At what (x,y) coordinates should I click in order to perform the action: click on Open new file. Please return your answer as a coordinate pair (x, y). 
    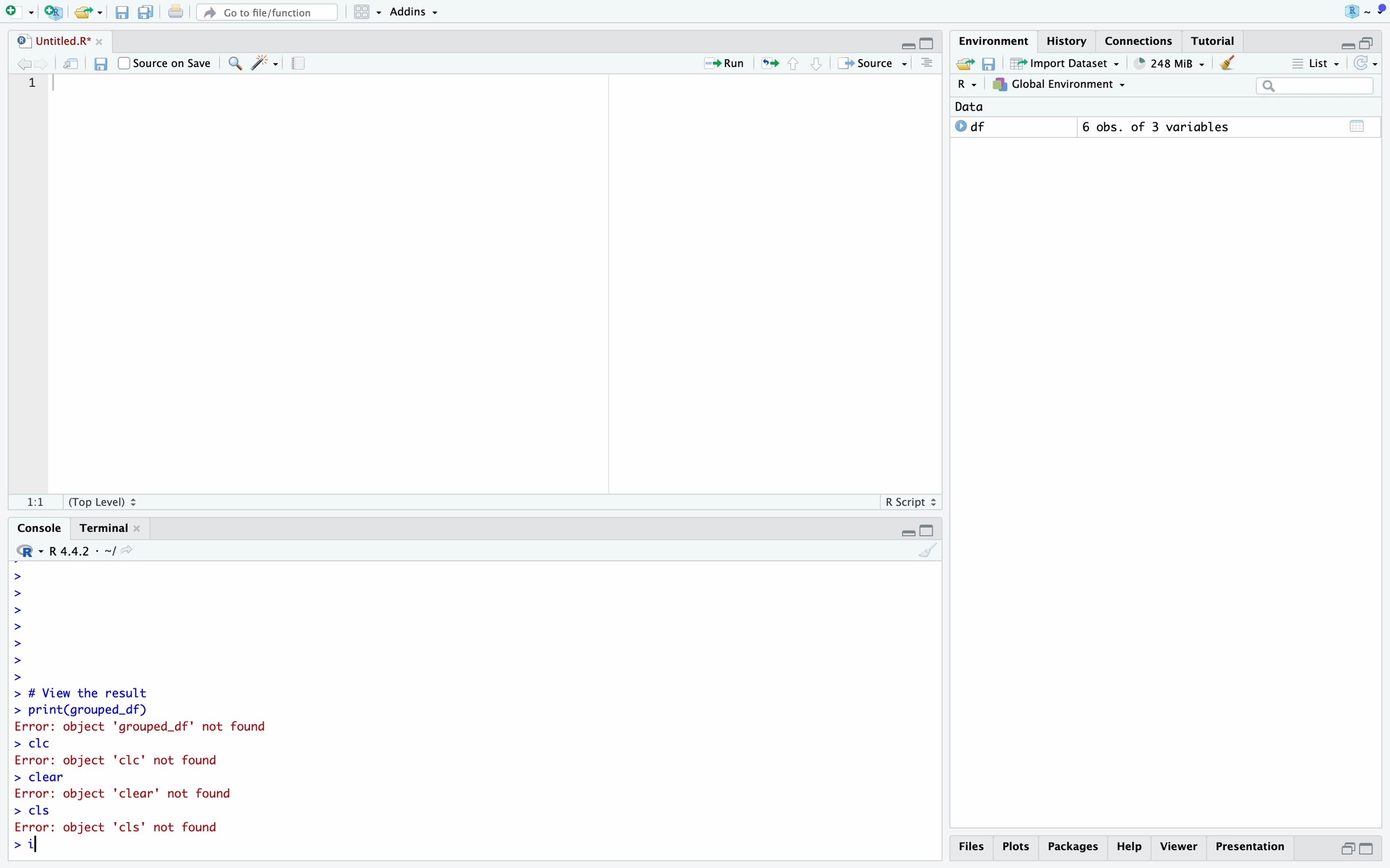
    Looking at the image, I should click on (21, 11).